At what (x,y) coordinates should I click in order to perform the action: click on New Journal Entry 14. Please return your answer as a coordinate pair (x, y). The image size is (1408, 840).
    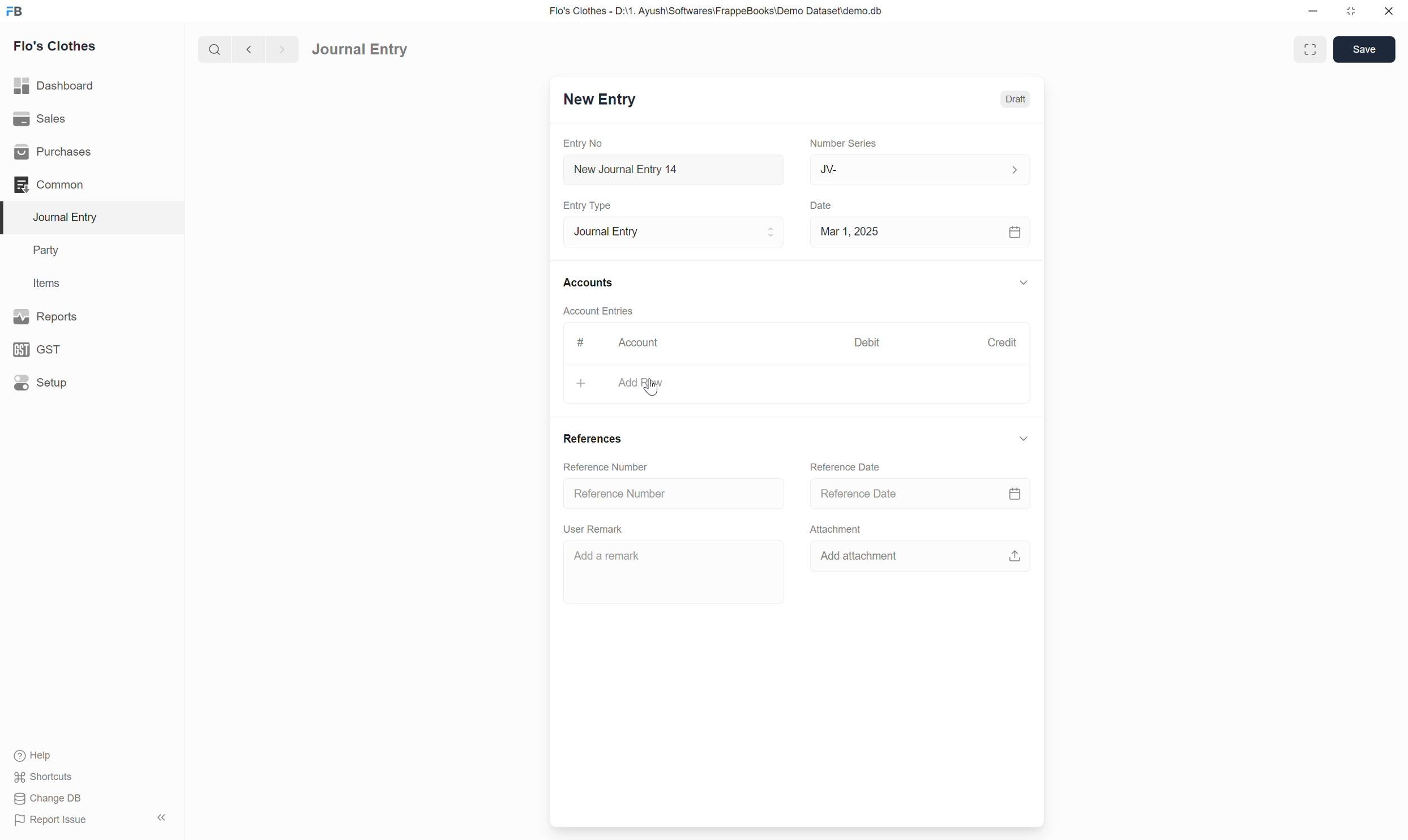
    Looking at the image, I should click on (646, 170).